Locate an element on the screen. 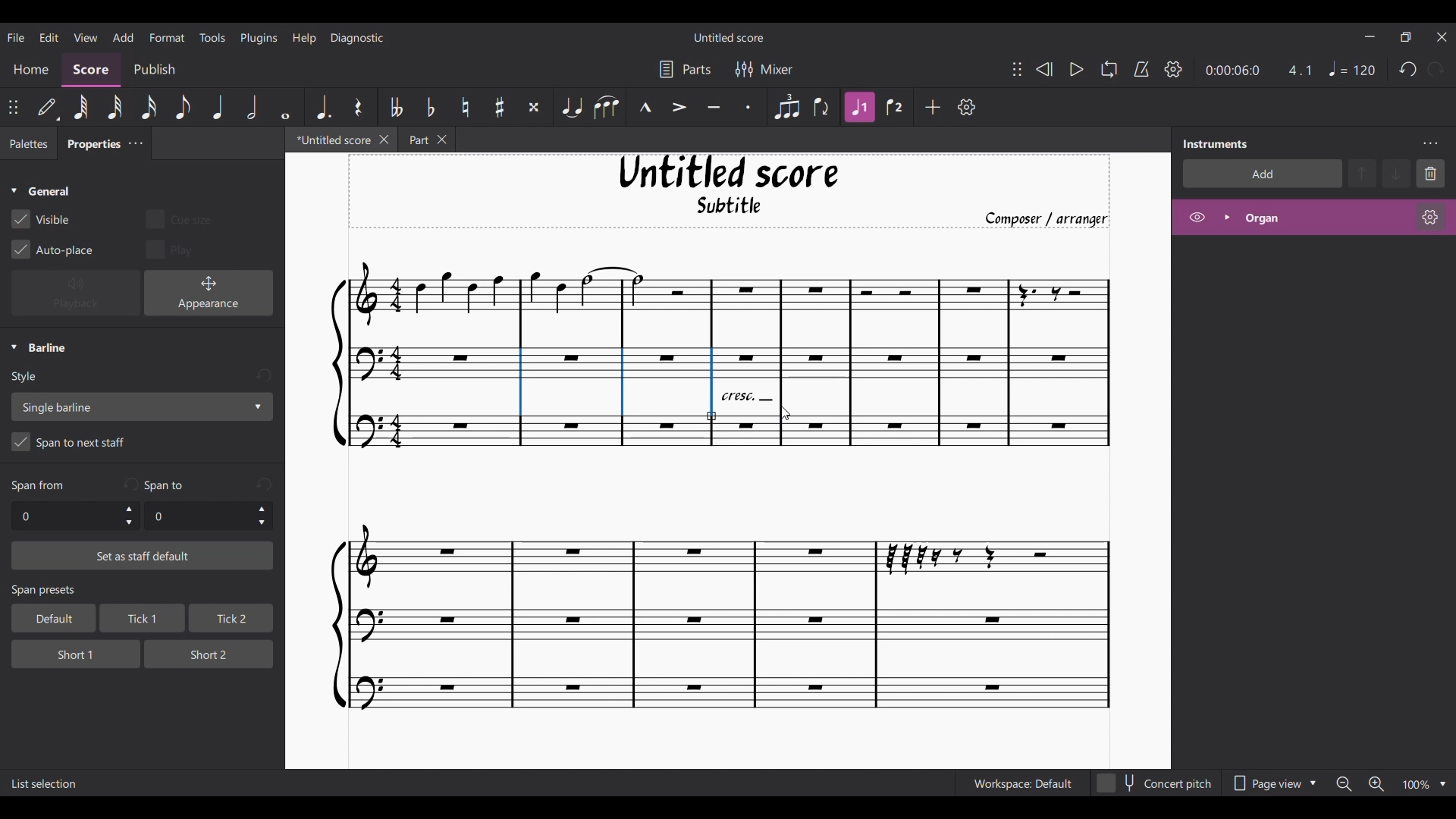 This screenshot has width=1456, height=819. Untitled Score is located at coordinates (729, 172).